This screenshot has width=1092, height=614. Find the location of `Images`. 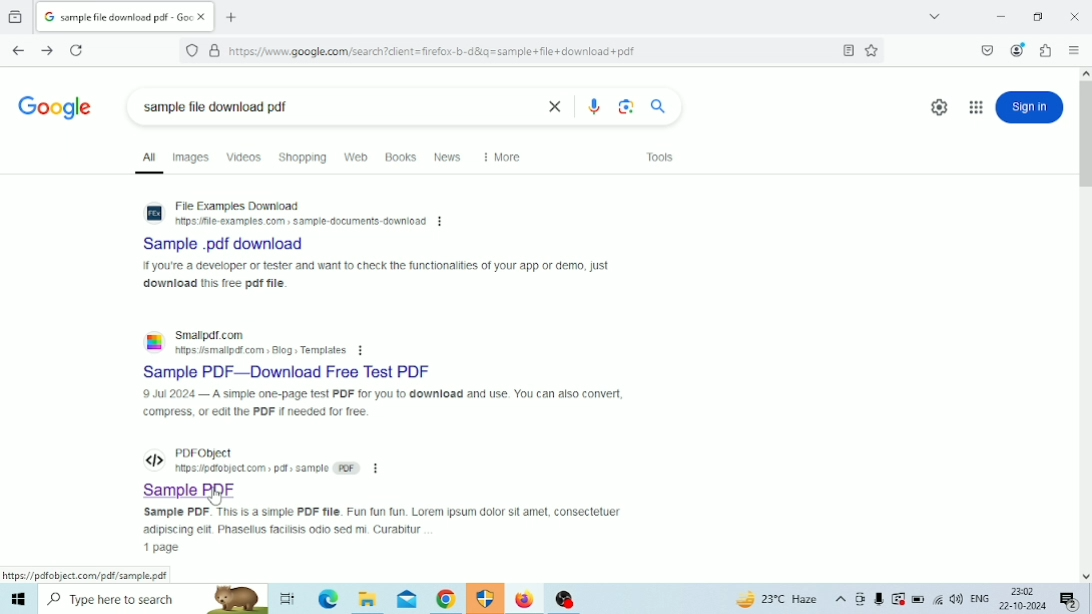

Images is located at coordinates (192, 157).